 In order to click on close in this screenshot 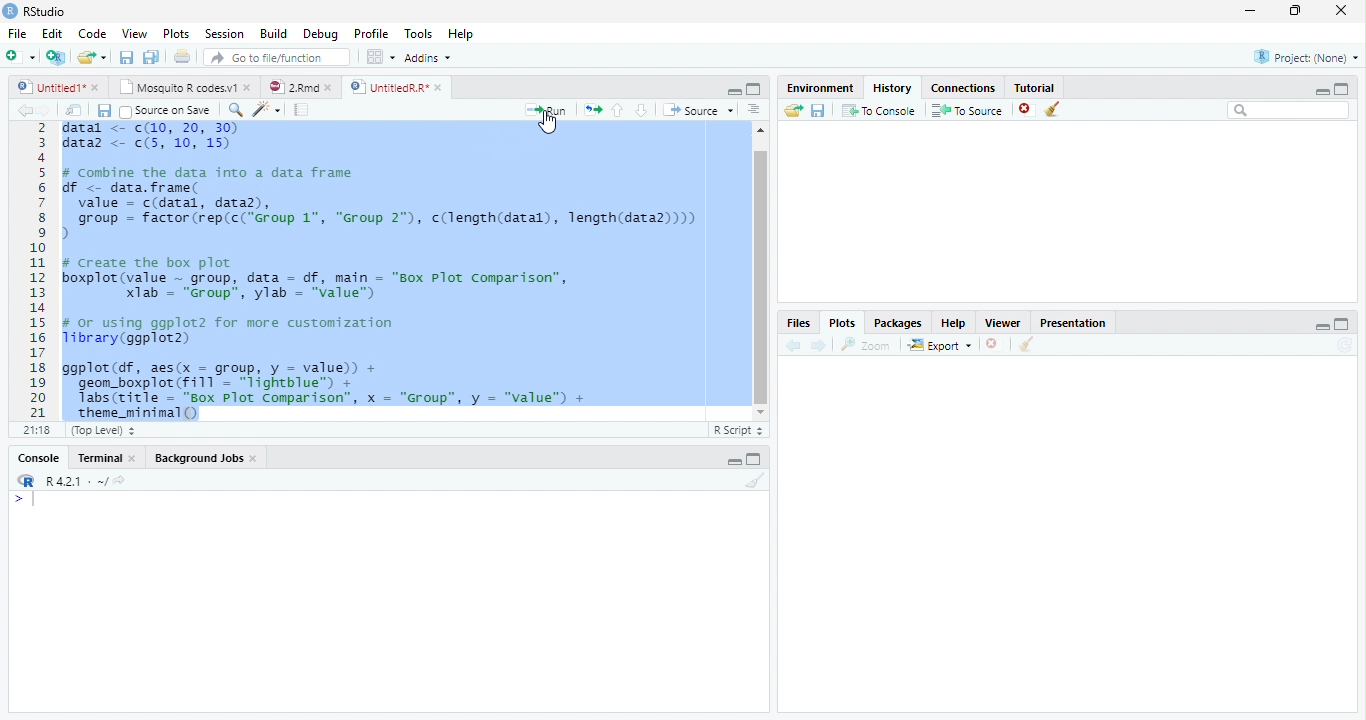, I will do `click(95, 87)`.